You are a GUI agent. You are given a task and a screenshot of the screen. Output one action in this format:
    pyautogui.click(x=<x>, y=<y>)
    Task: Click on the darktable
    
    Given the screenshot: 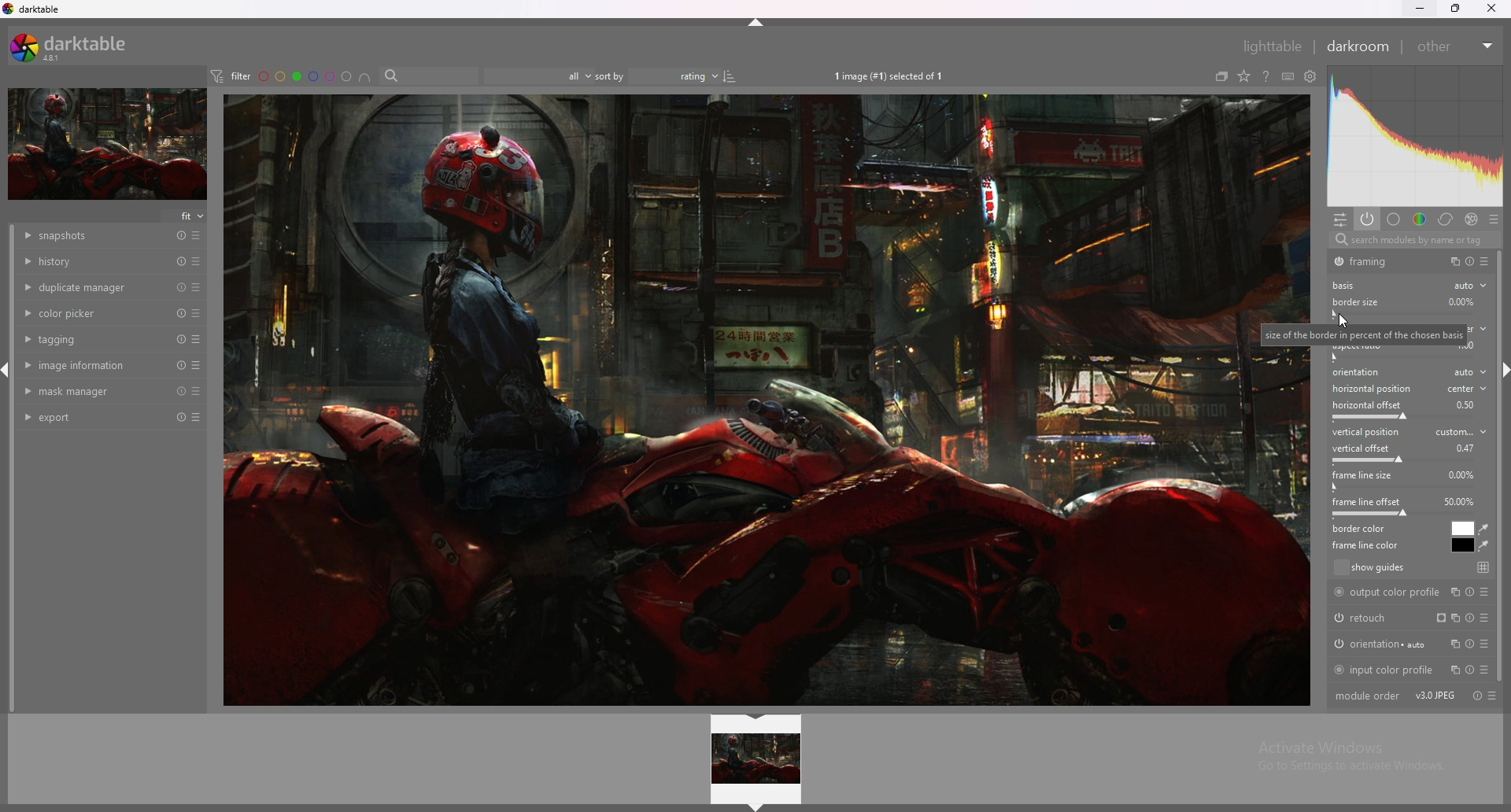 What is the action you would take?
    pyautogui.click(x=33, y=9)
    